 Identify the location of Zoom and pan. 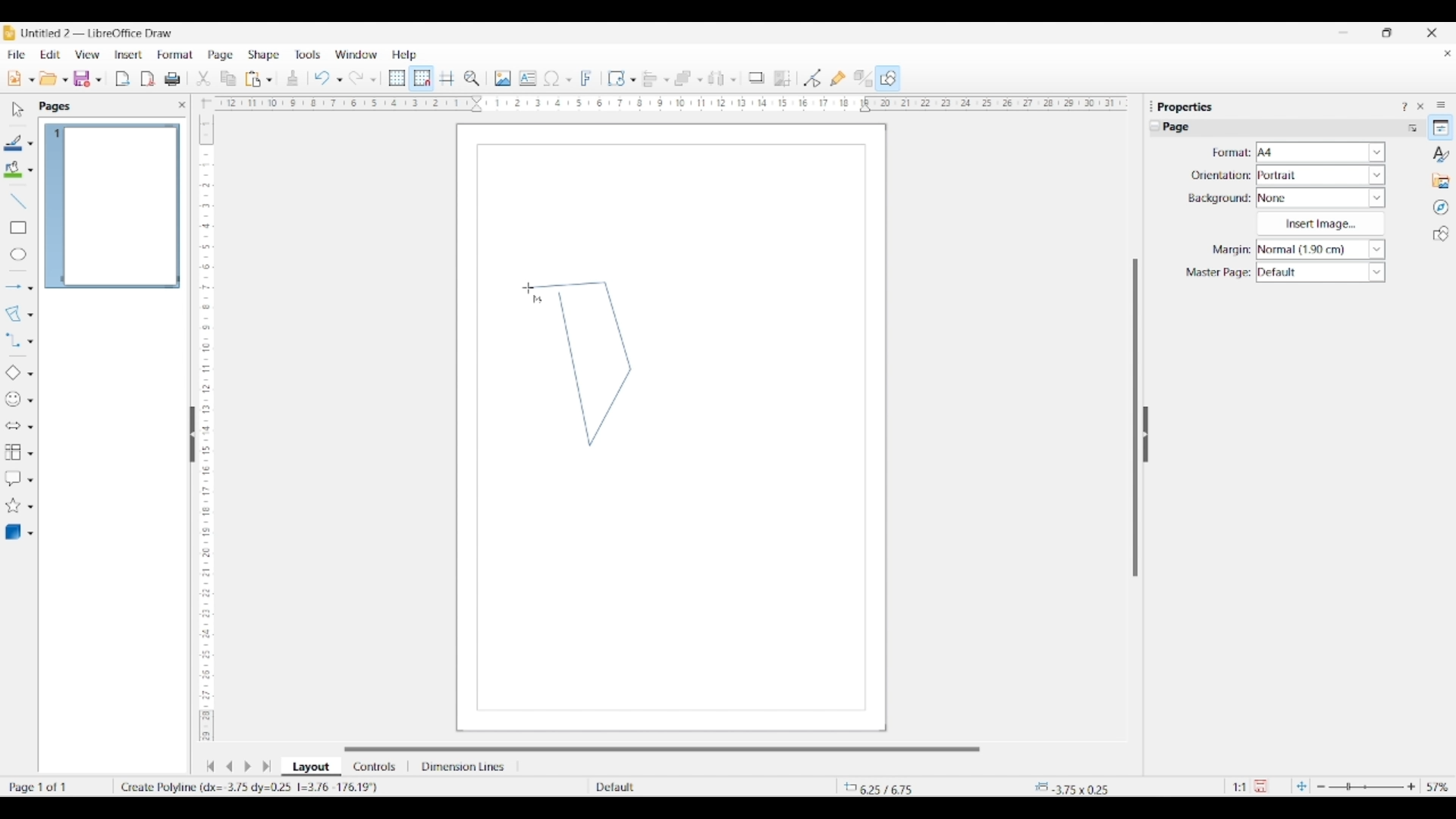
(472, 79).